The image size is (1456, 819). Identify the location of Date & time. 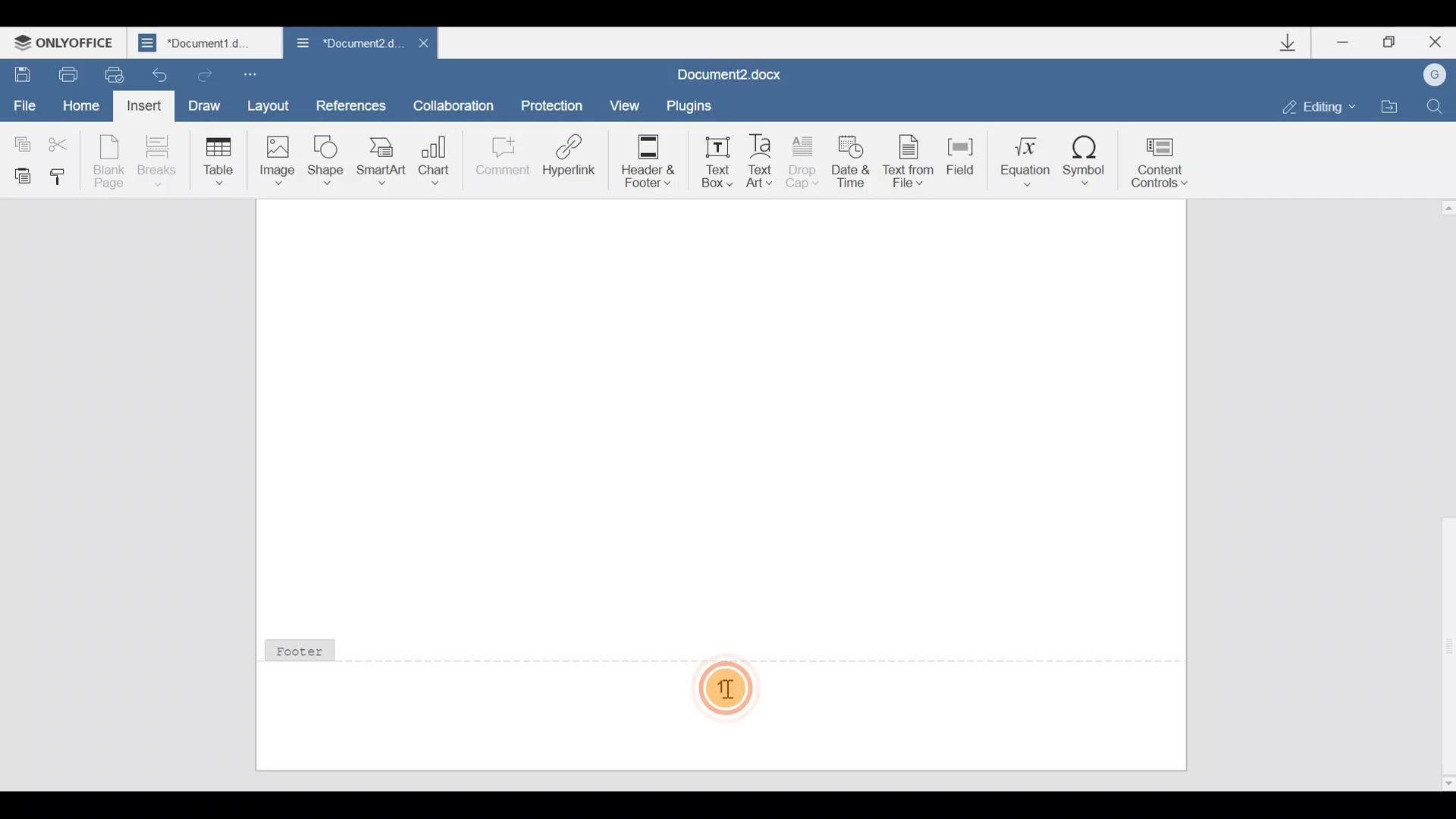
(851, 158).